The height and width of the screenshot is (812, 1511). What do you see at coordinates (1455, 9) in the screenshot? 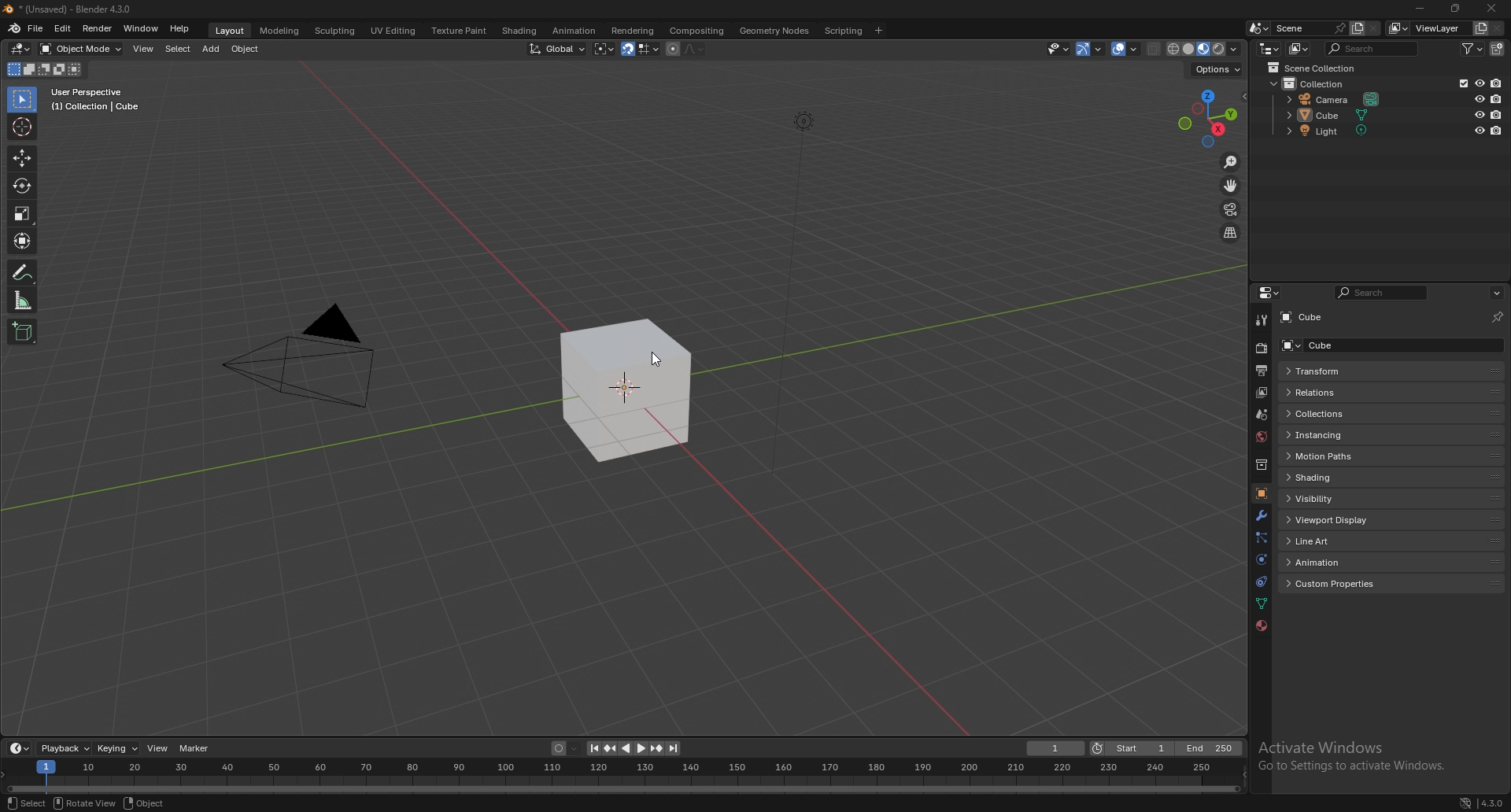
I see `resize` at bounding box center [1455, 9].